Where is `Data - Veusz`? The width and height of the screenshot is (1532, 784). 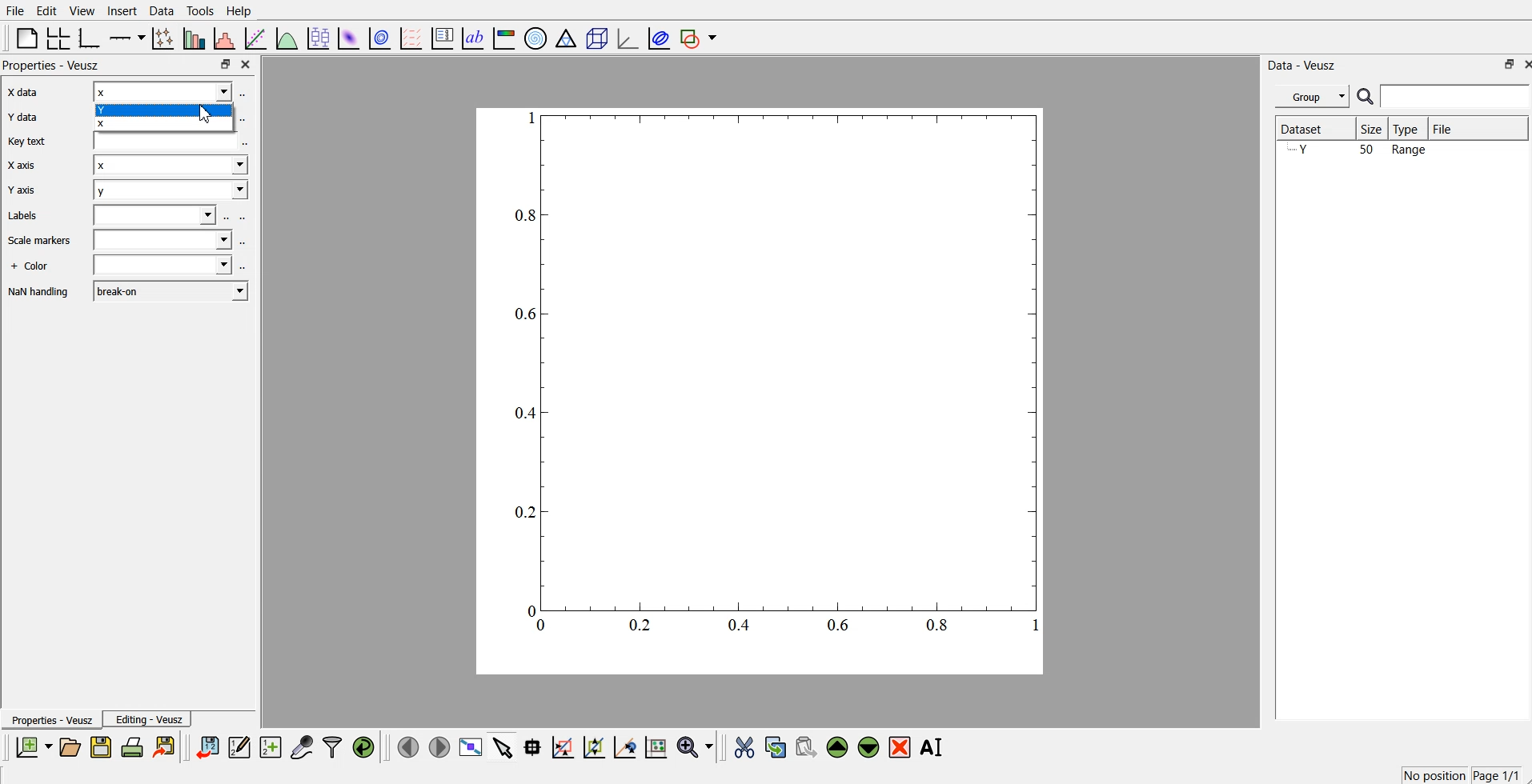
Data - Veusz is located at coordinates (1303, 65).